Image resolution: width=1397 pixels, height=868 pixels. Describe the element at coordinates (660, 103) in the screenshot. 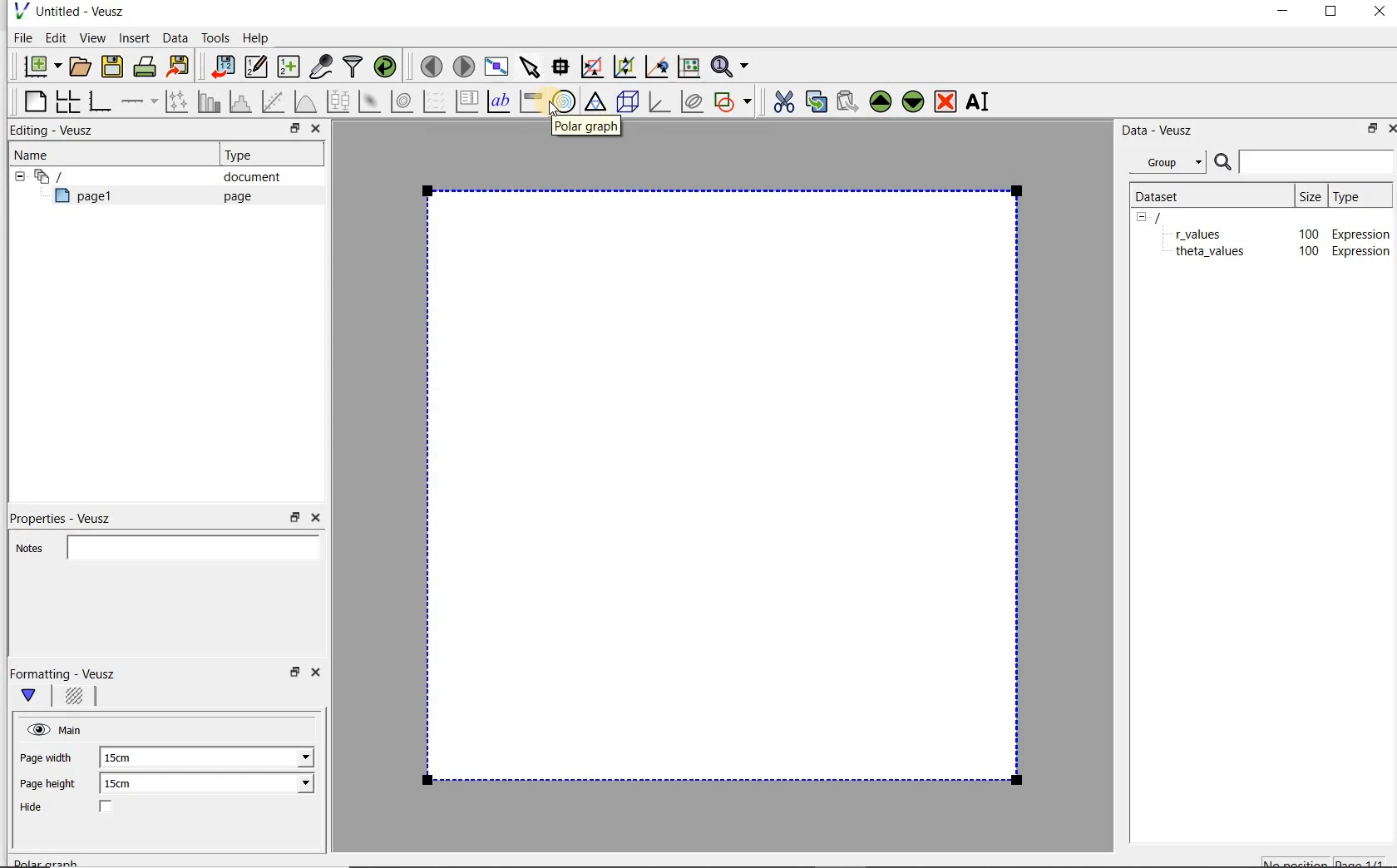

I see `3d graph` at that location.